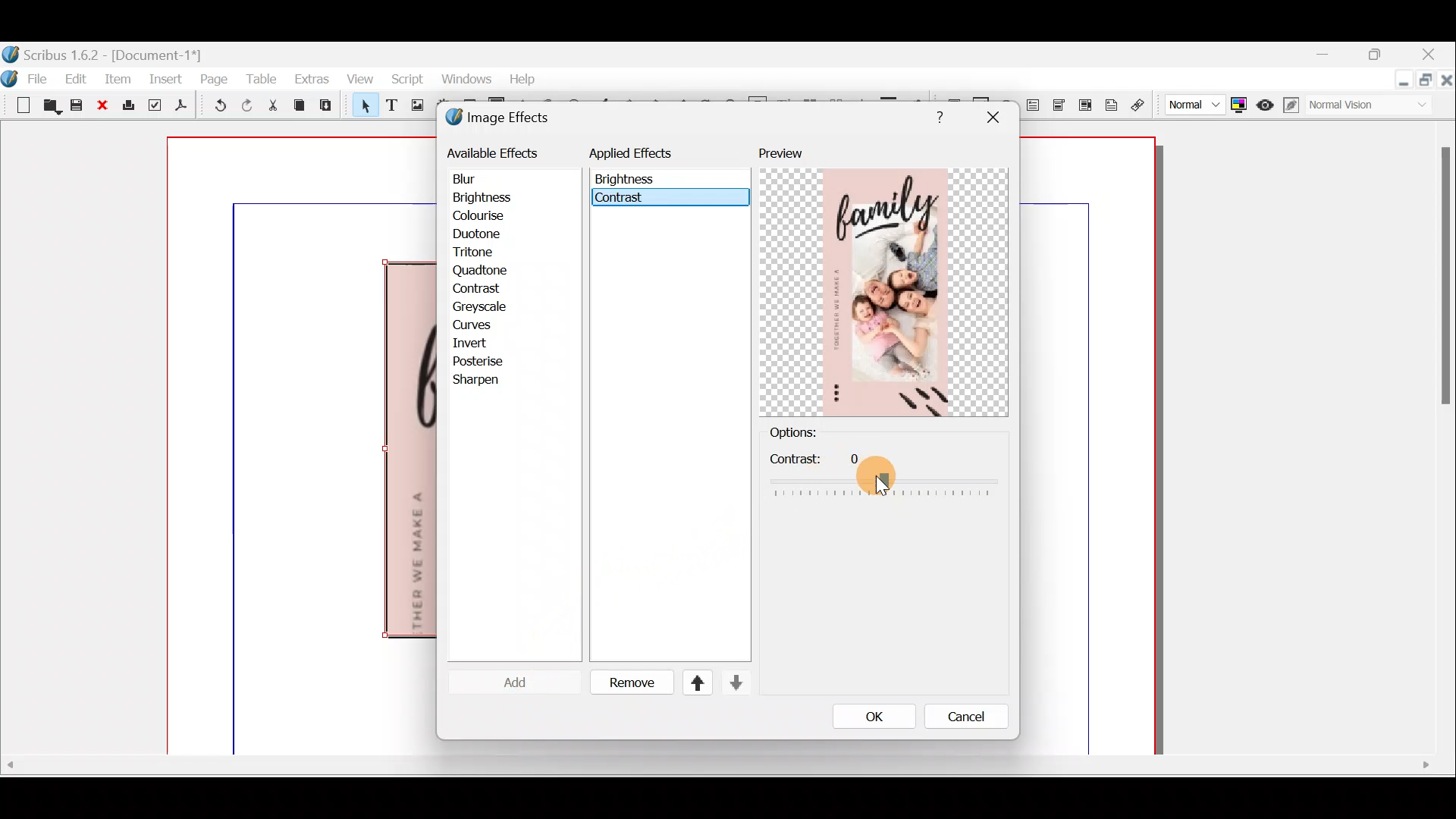  Describe the element at coordinates (12, 77) in the screenshot. I see `Logo` at that location.